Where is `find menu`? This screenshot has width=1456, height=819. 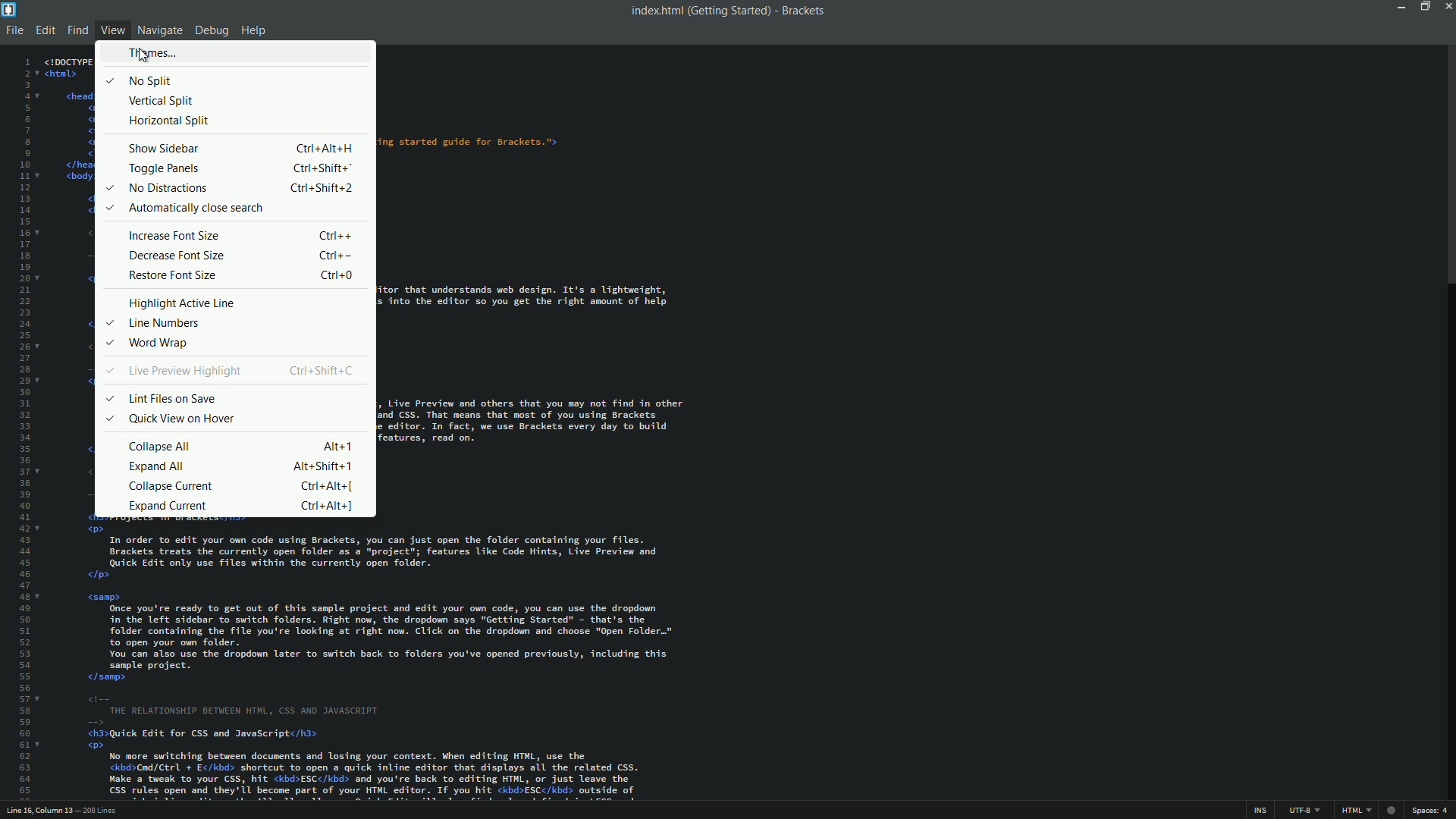 find menu is located at coordinates (76, 31).